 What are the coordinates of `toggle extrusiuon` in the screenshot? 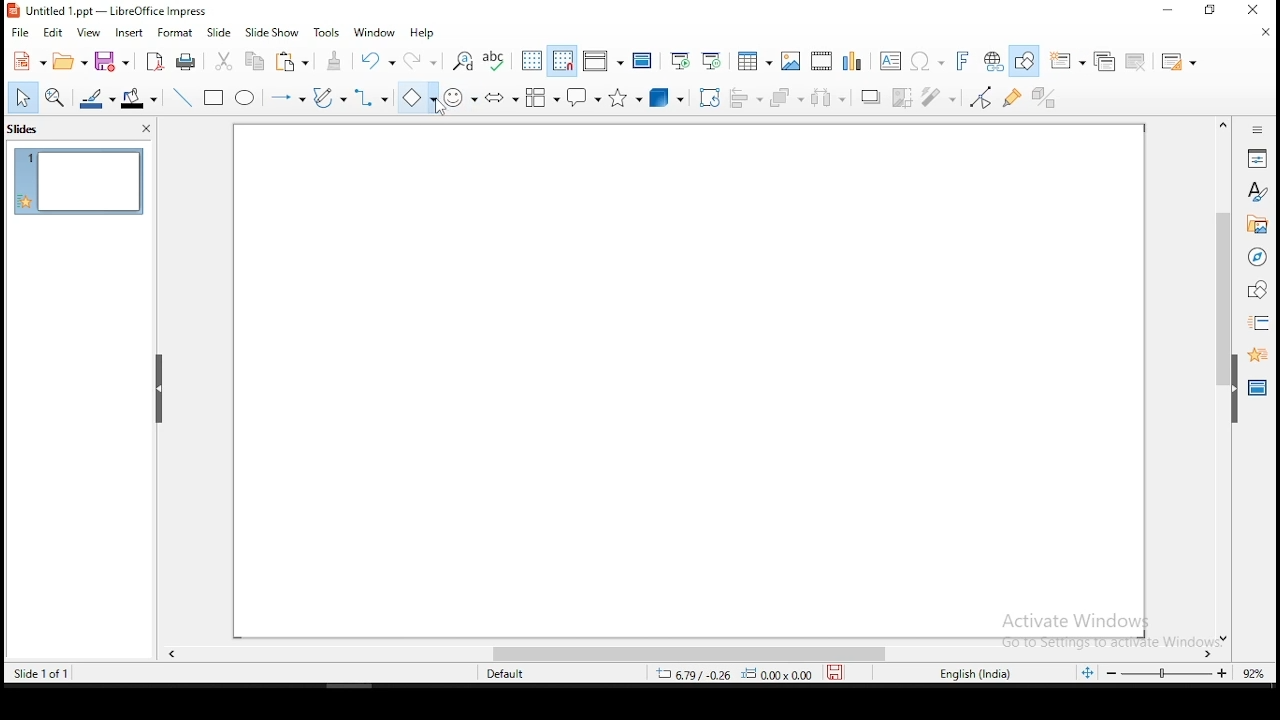 It's located at (1047, 98).